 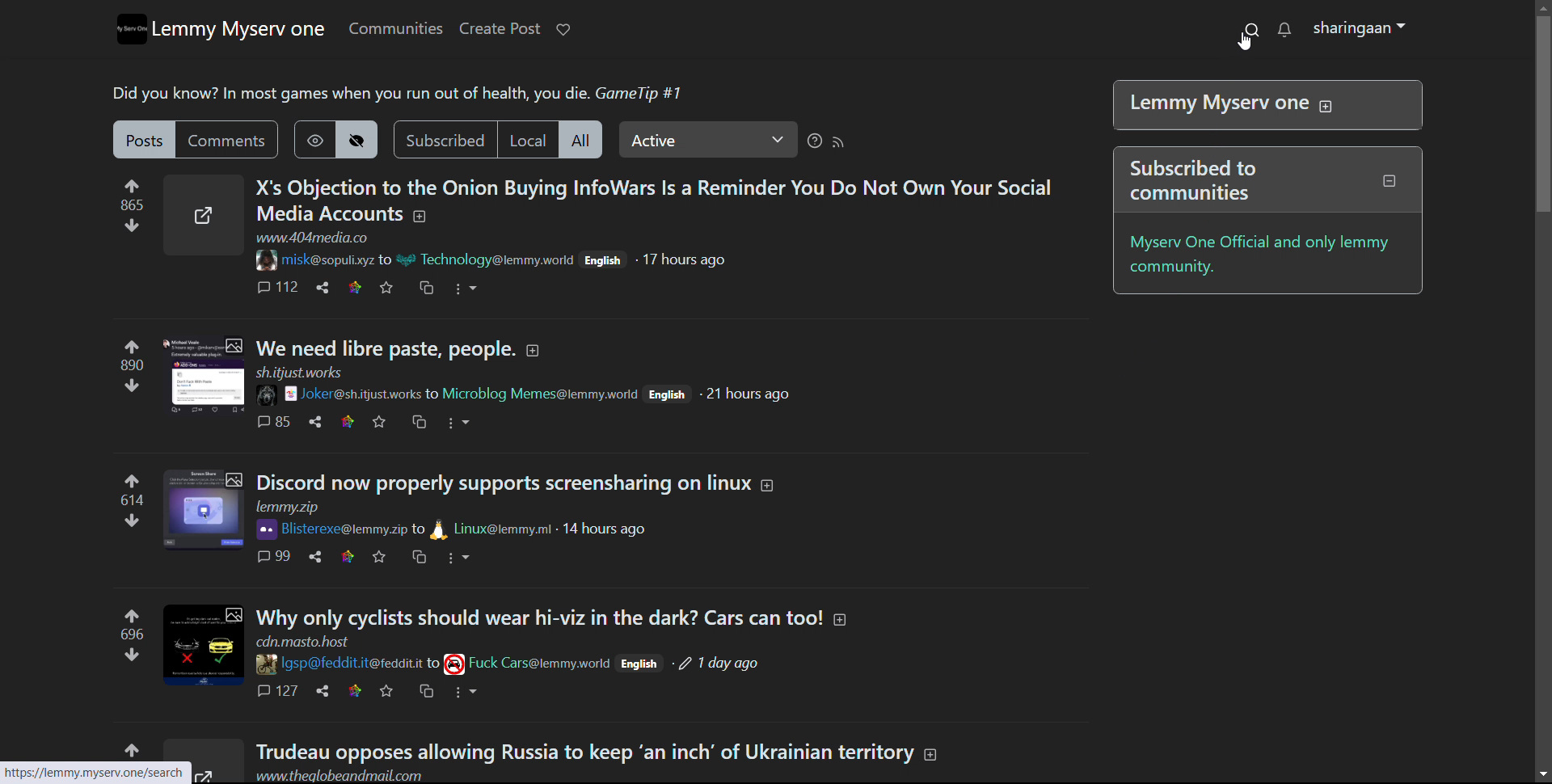 What do you see at coordinates (193, 509) in the screenshot?
I see `post image` at bounding box center [193, 509].